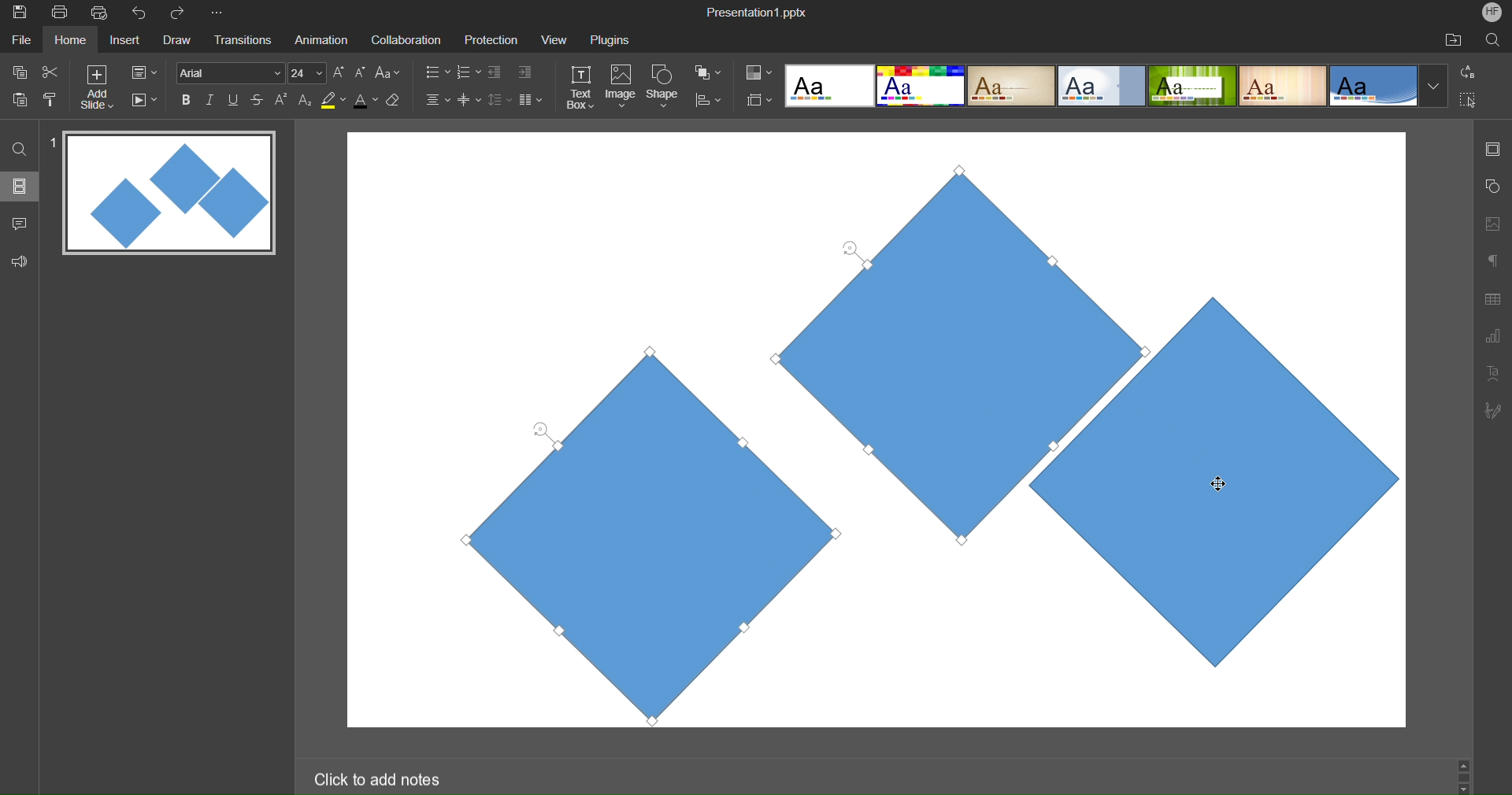 This screenshot has height=795, width=1512. Describe the element at coordinates (123, 41) in the screenshot. I see `Insert` at that location.